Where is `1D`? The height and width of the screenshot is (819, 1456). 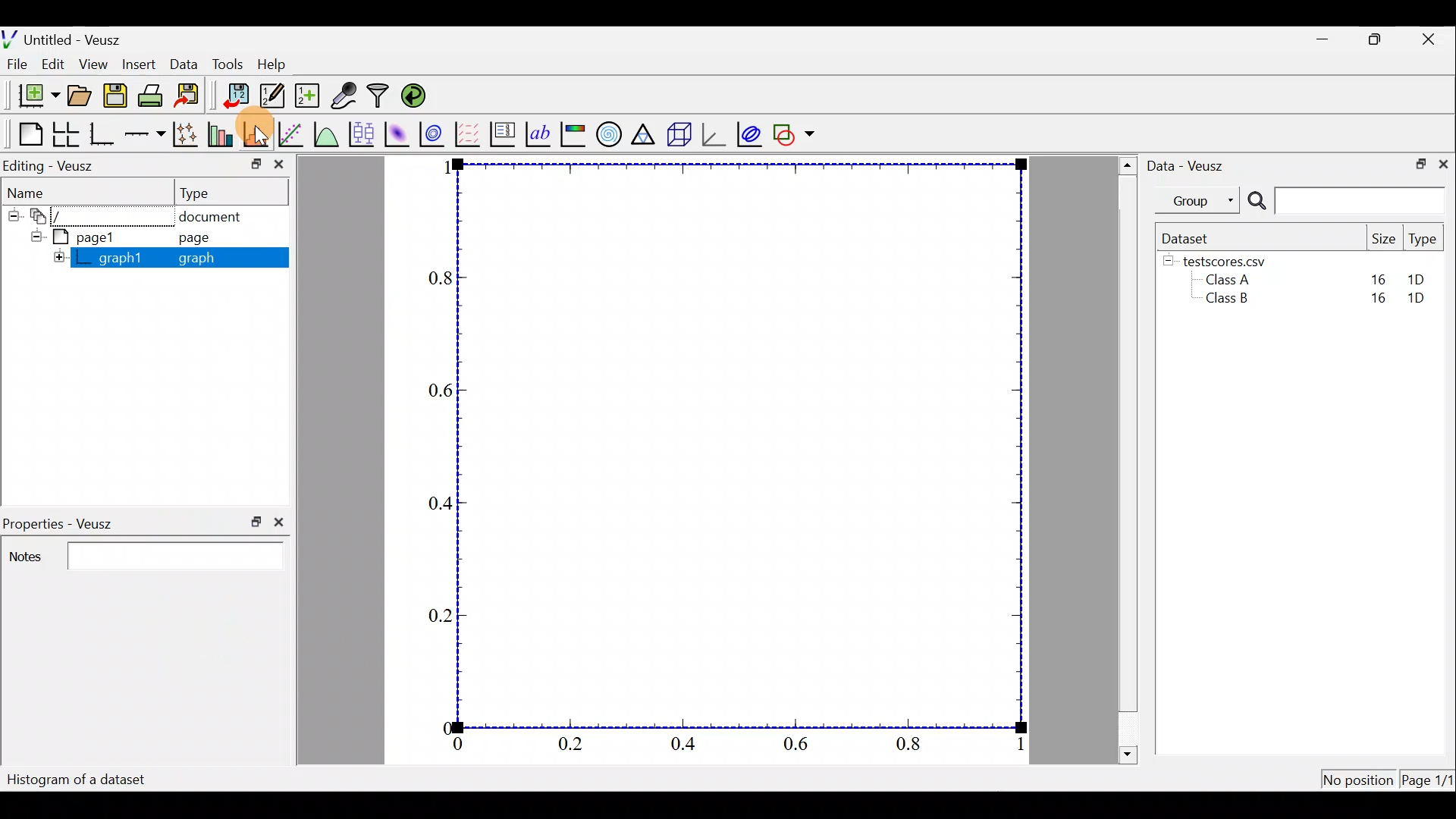
1D is located at coordinates (1418, 279).